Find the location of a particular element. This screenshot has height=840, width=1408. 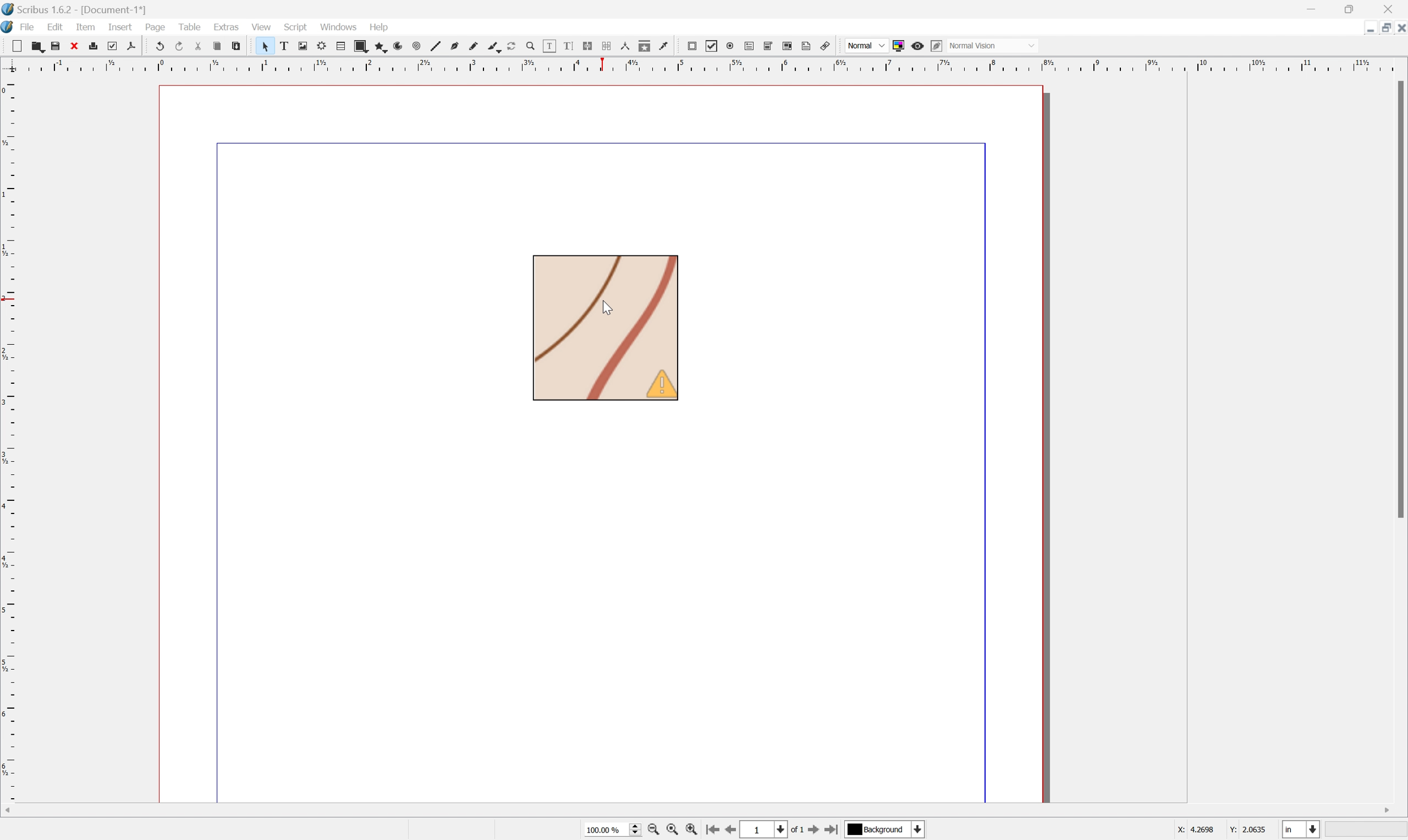

Link annotation is located at coordinates (823, 46).